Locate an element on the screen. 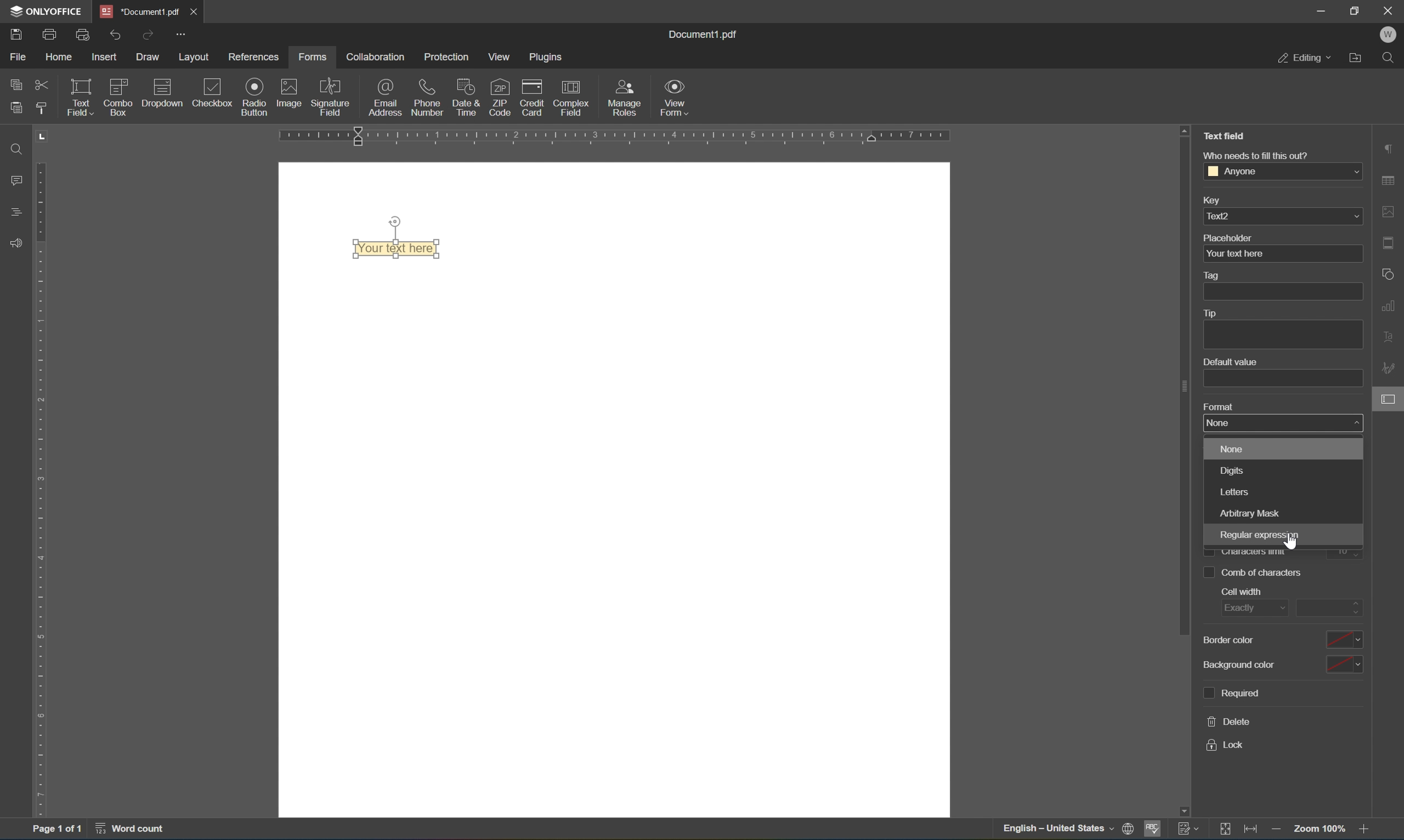  page 1 of 1 is located at coordinates (57, 831).